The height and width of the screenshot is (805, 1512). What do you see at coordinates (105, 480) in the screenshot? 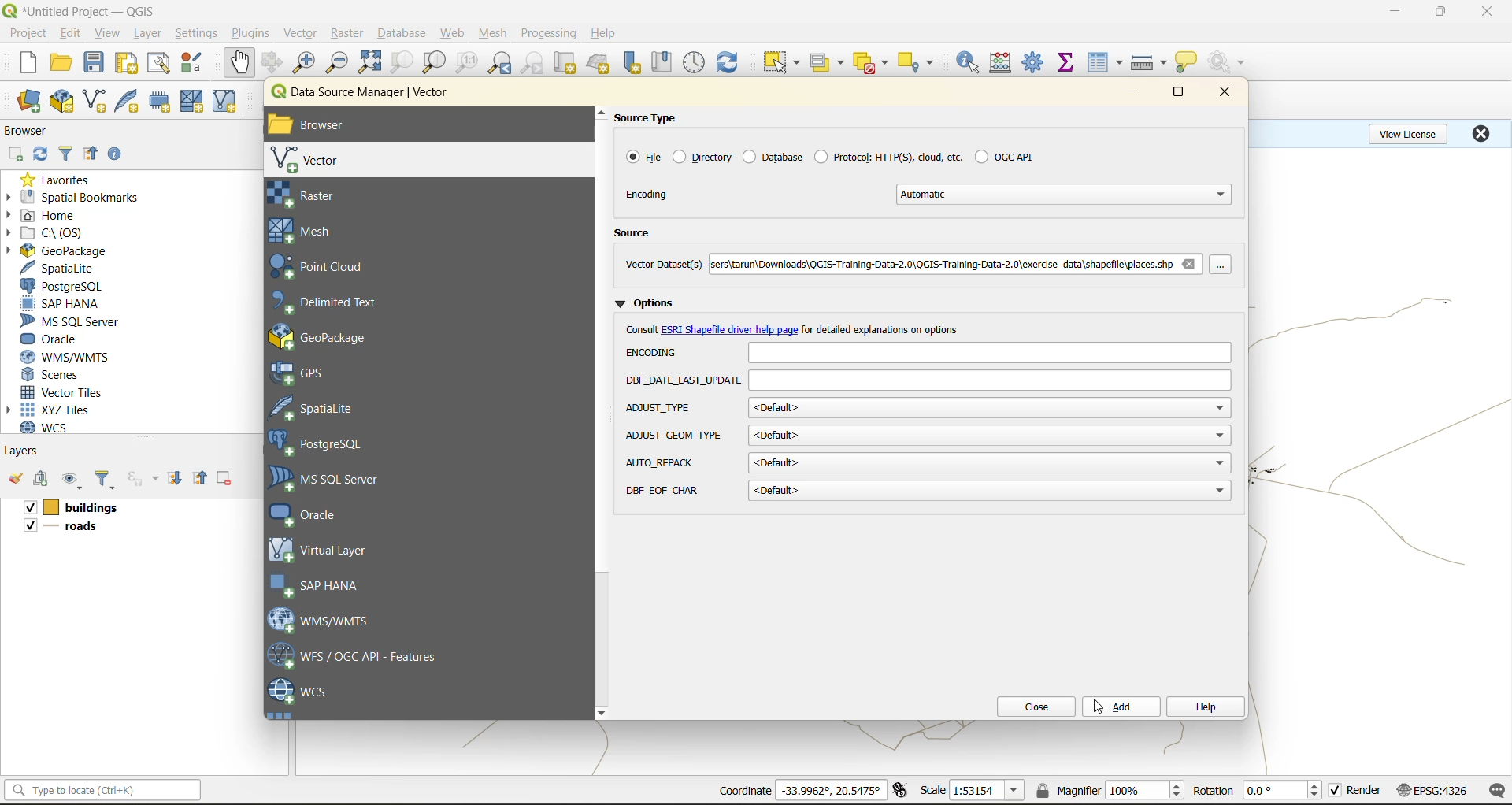
I see `filter` at bounding box center [105, 480].